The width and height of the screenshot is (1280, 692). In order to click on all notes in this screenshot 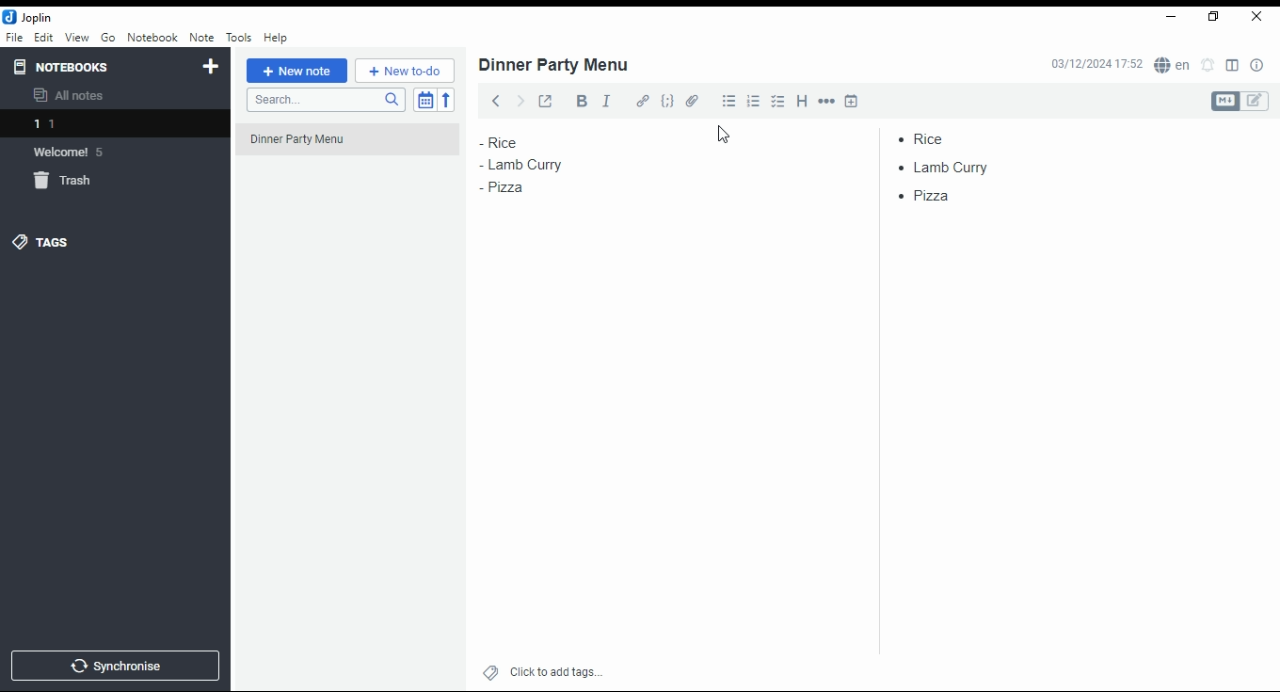, I will do `click(74, 96)`.